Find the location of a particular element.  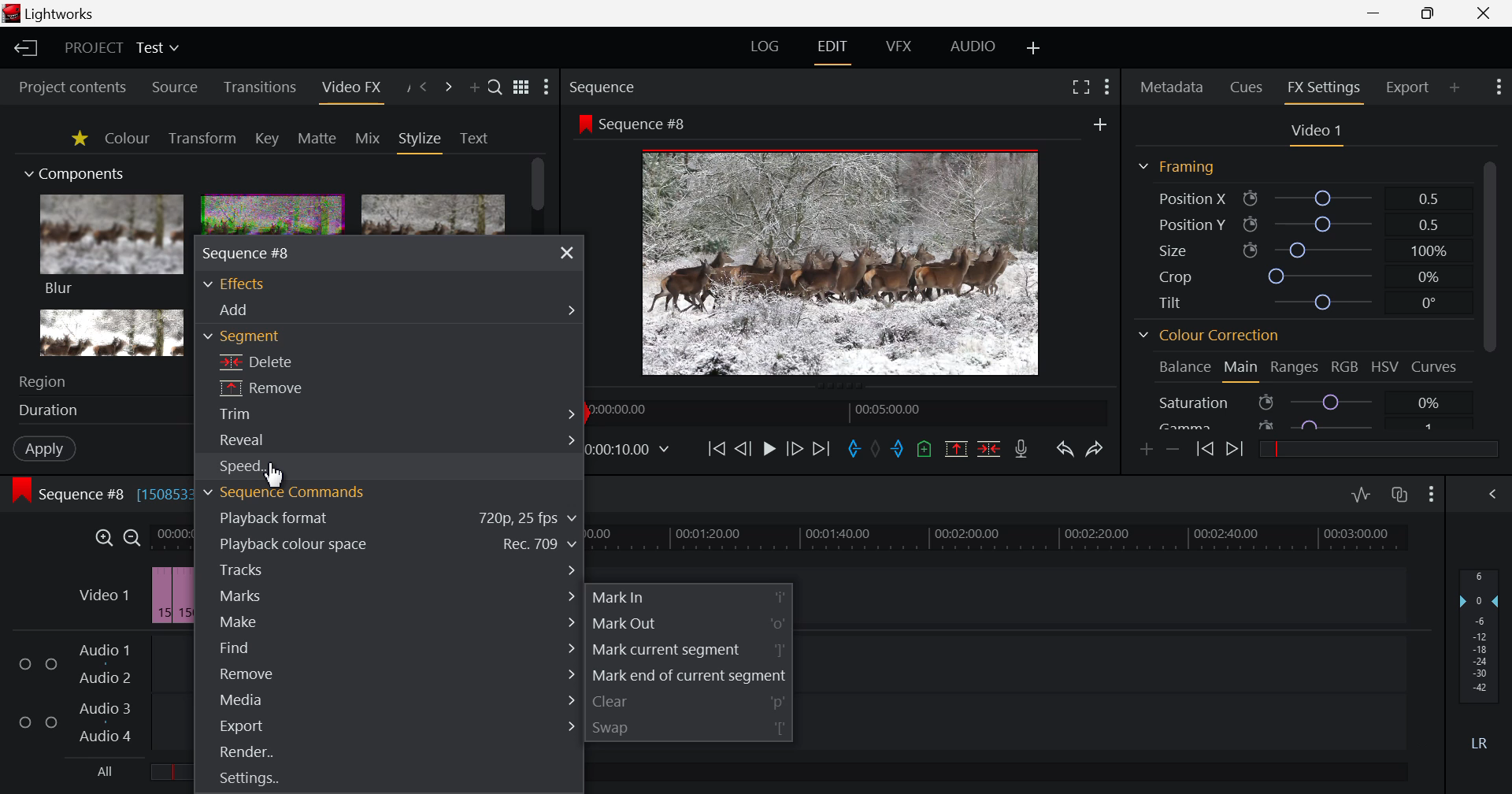

Add keyframe is located at coordinates (1147, 451).